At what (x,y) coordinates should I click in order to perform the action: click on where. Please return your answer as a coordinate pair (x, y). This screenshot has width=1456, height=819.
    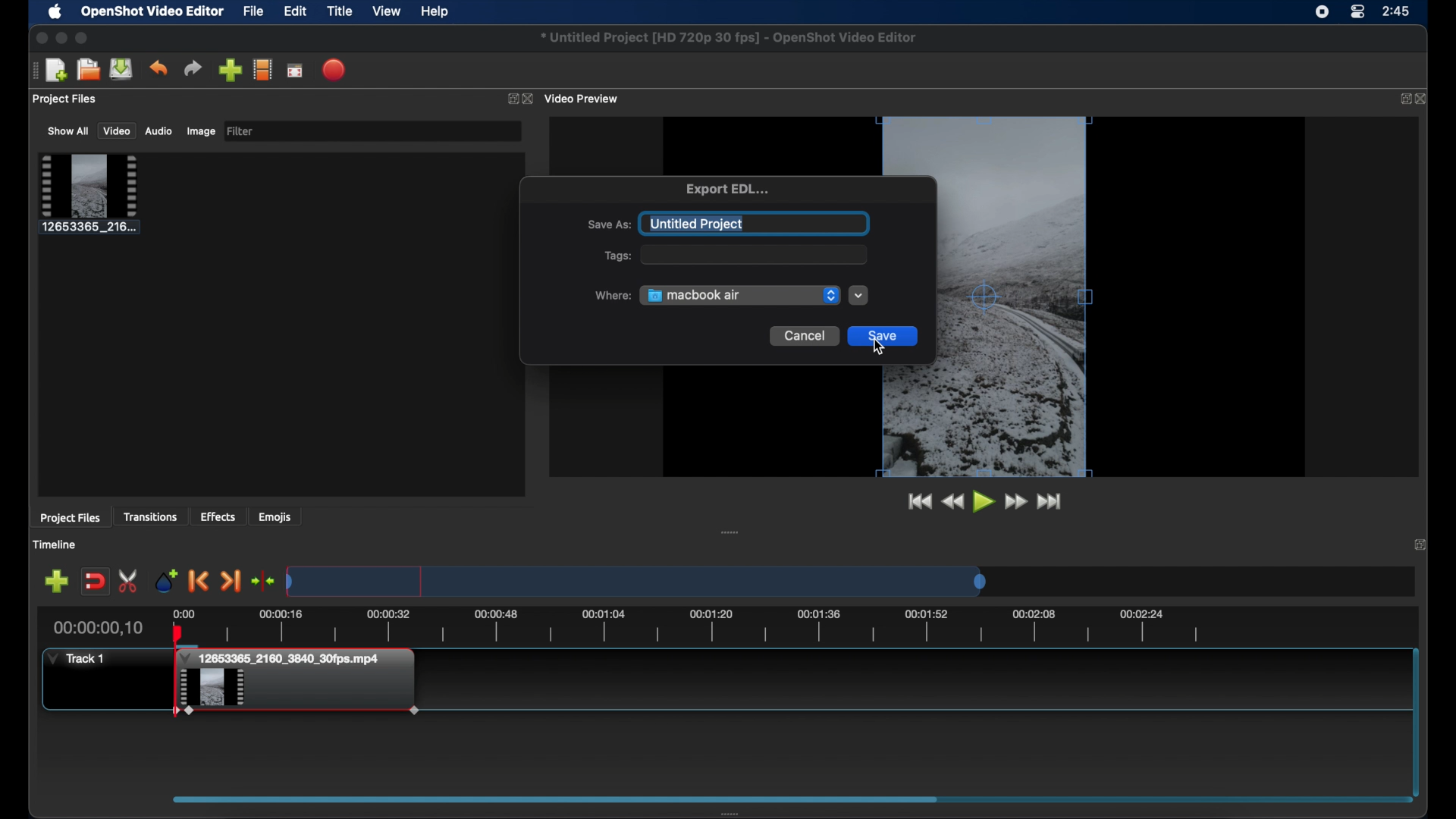
    Looking at the image, I should click on (610, 295).